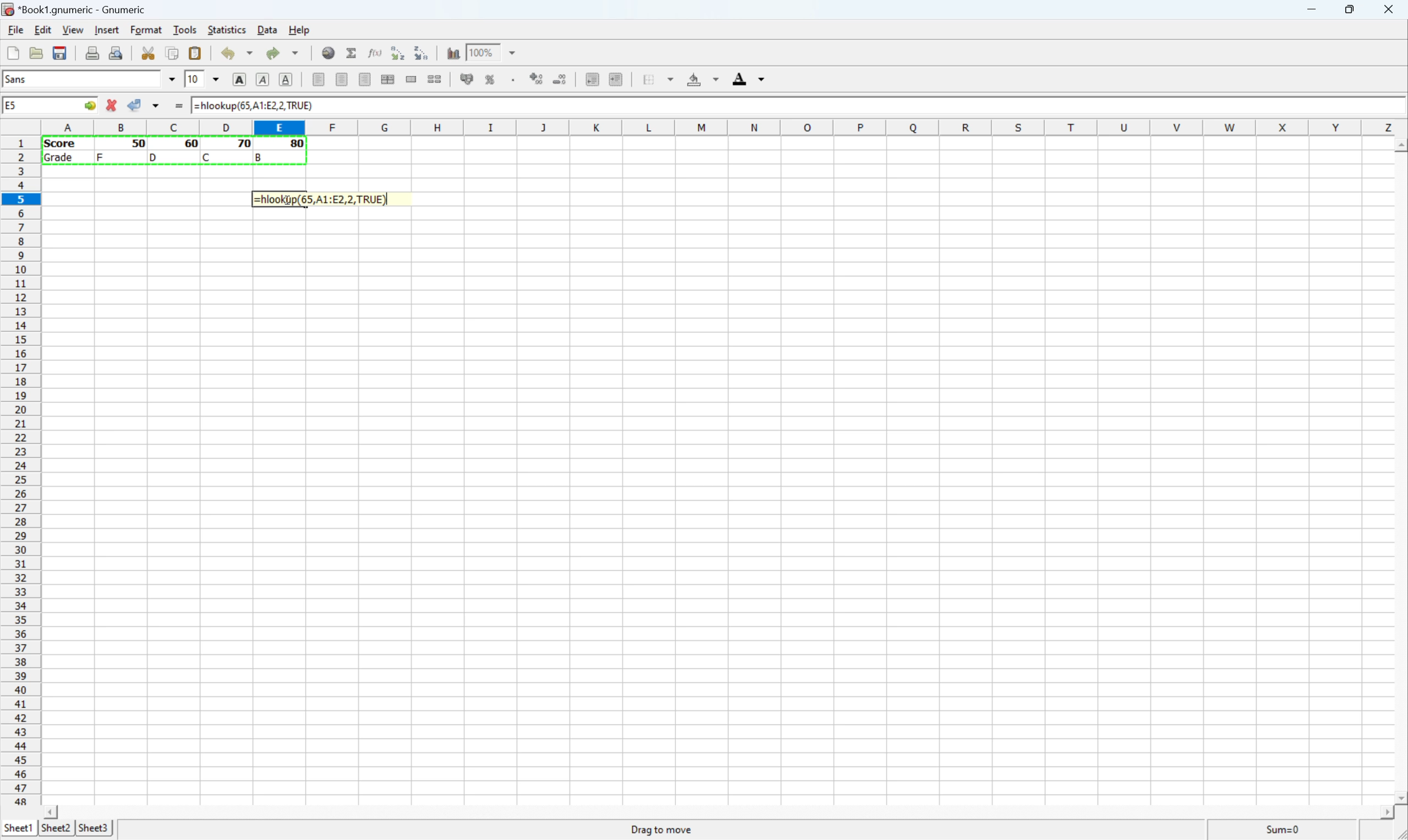 This screenshot has height=840, width=1408. Describe the element at coordinates (48, 810) in the screenshot. I see `Scroll Left` at that location.